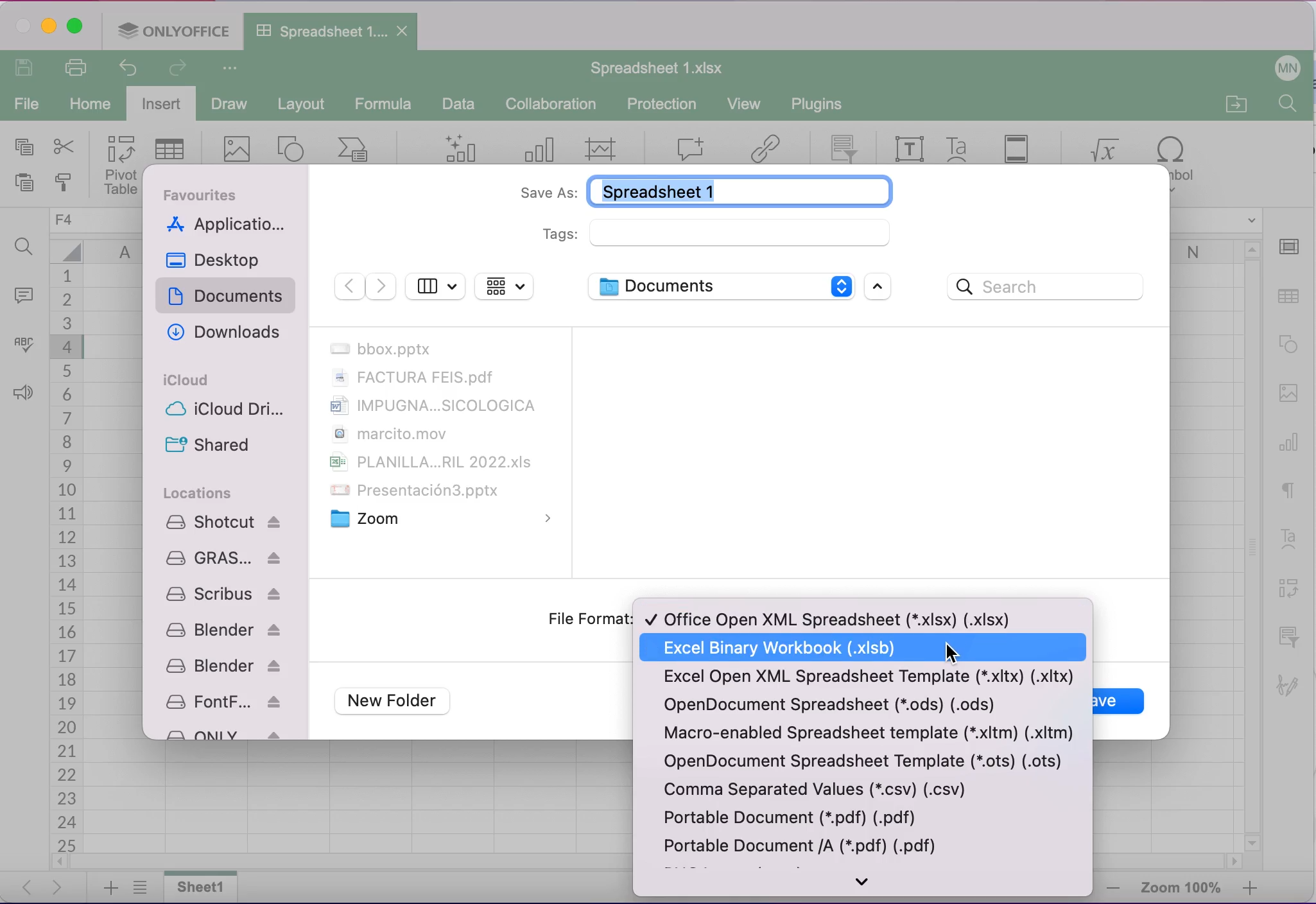  I want to click on locations, so click(199, 492).